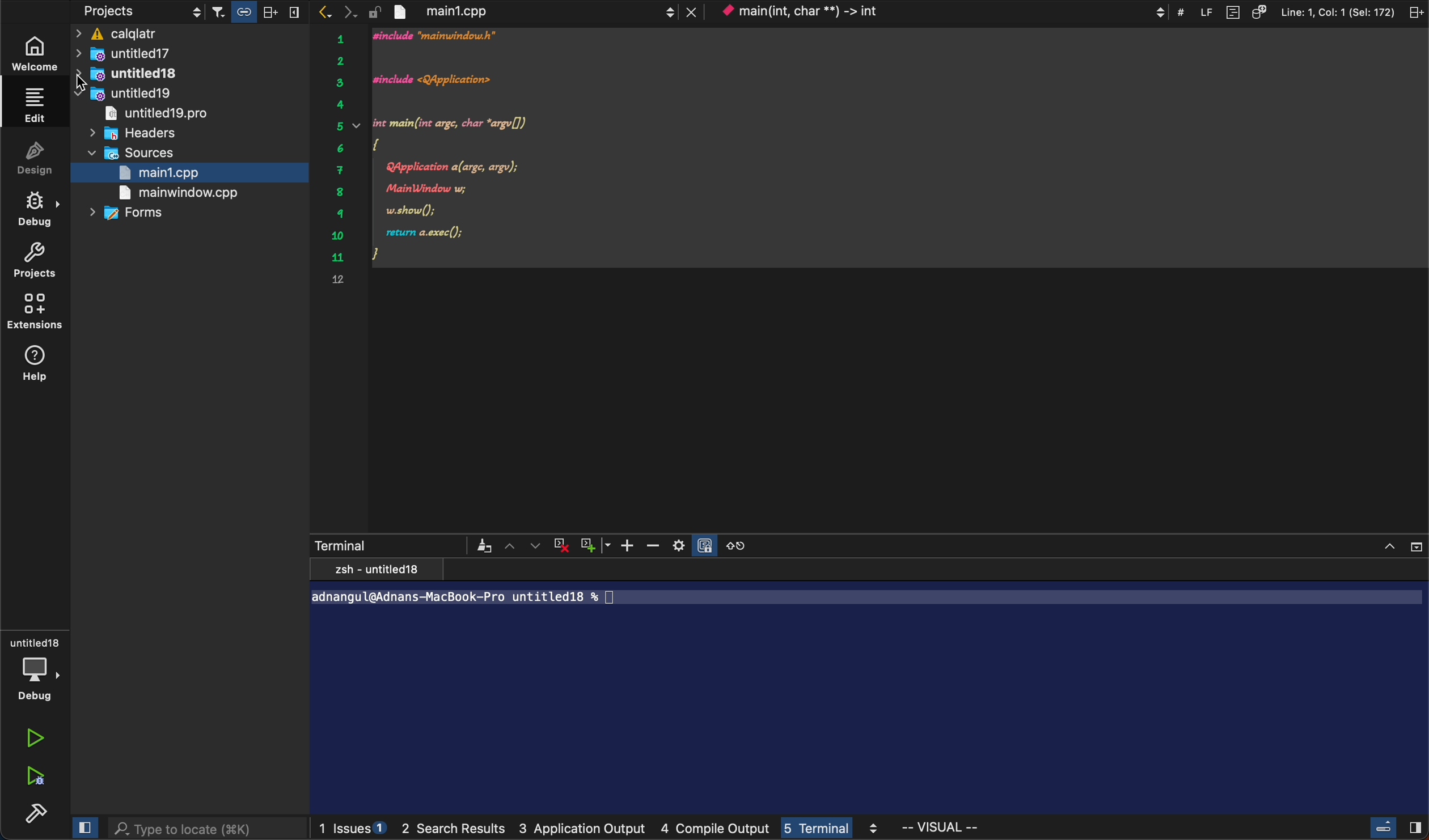 Image resolution: width=1429 pixels, height=840 pixels. What do you see at coordinates (183, 134) in the screenshot?
I see `main window` at bounding box center [183, 134].